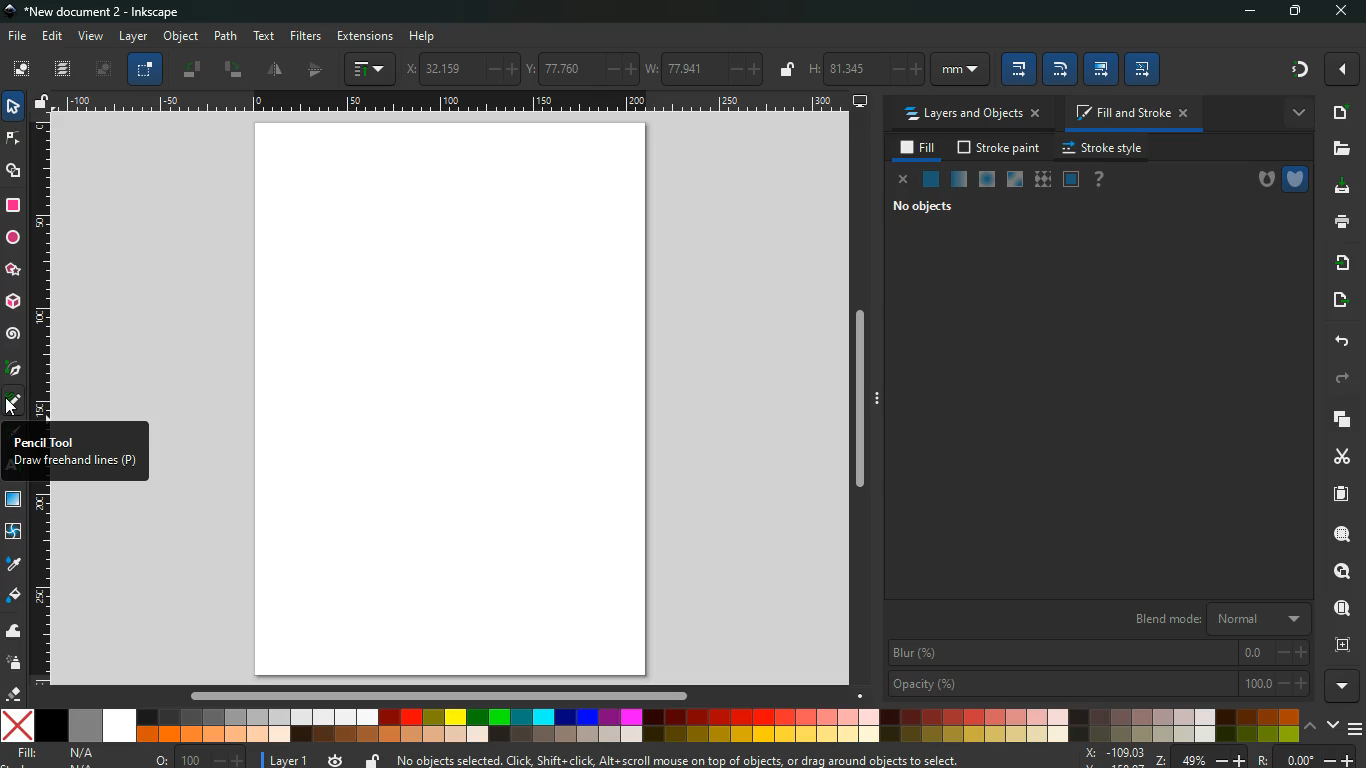 The height and width of the screenshot is (768, 1366). Describe the element at coordinates (14, 500) in the screenshot. I see `window` at that location.